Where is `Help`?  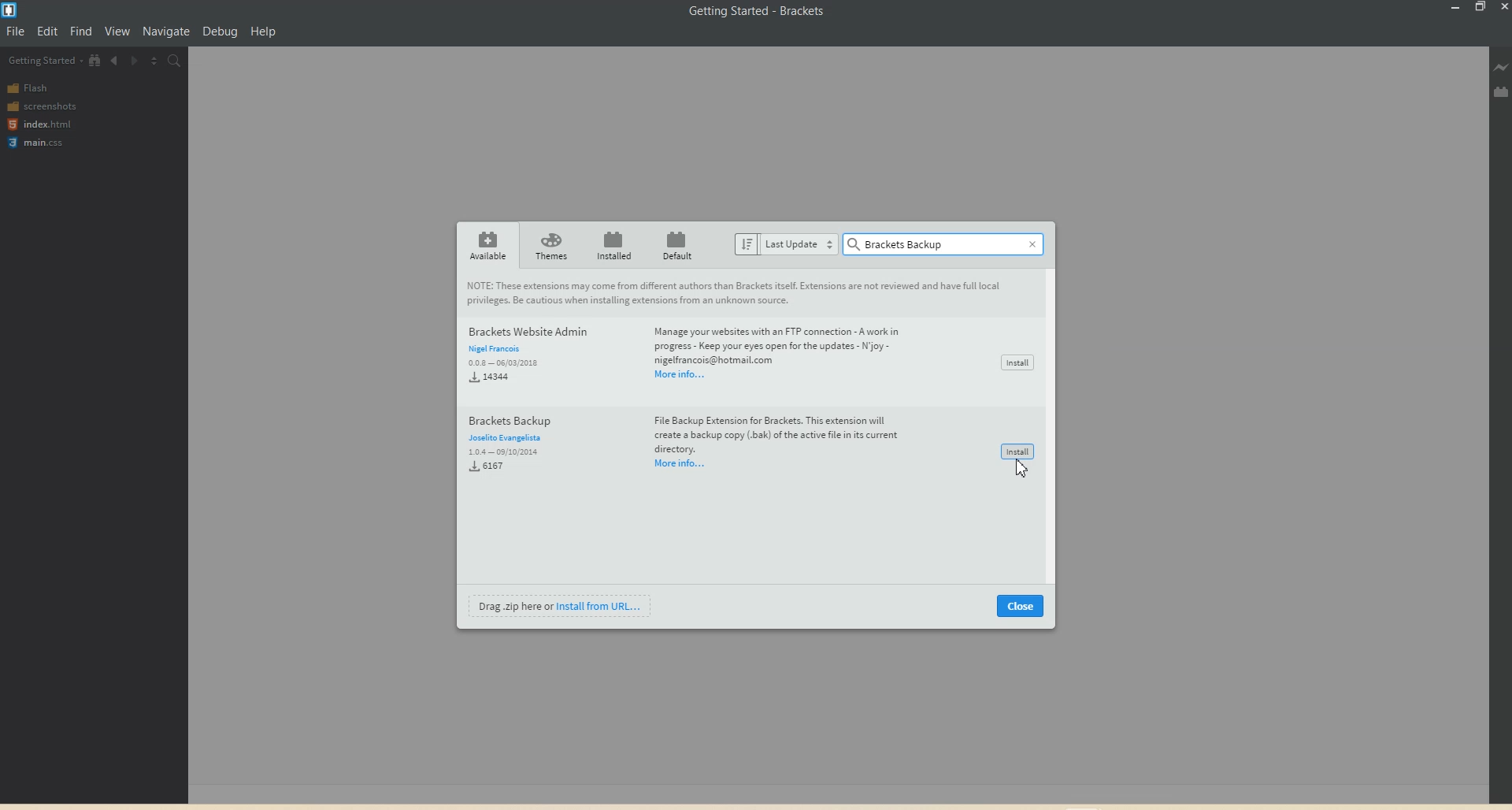
Help is located at coordinates (263, 31).